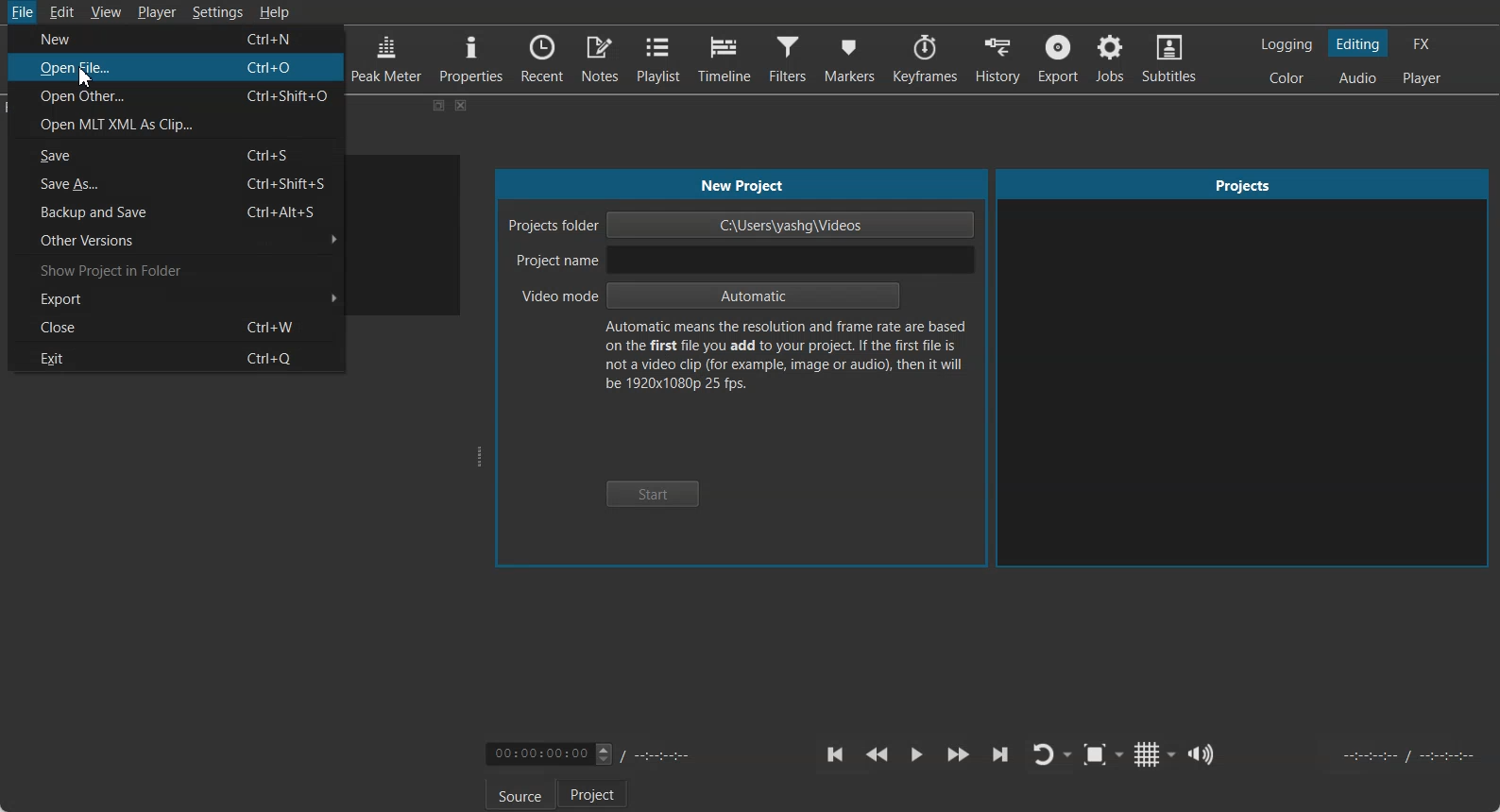 This screenshot has width=1500, height=812. I want to click on Switching to the Editing layout, so click(1358, 44).